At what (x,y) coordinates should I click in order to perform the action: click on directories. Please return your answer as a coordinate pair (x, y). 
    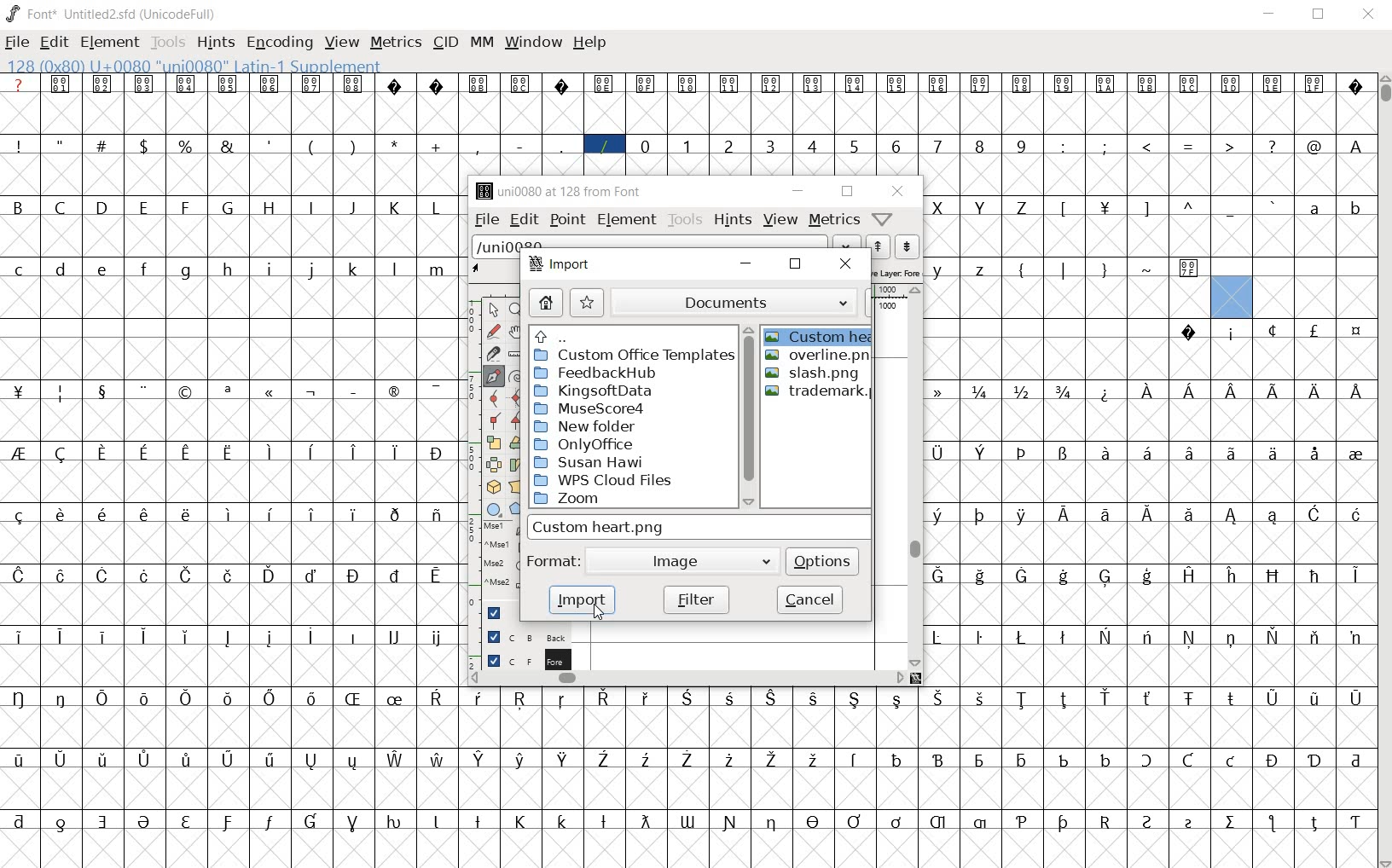
    Looking at the image, I should click on (633, 419).